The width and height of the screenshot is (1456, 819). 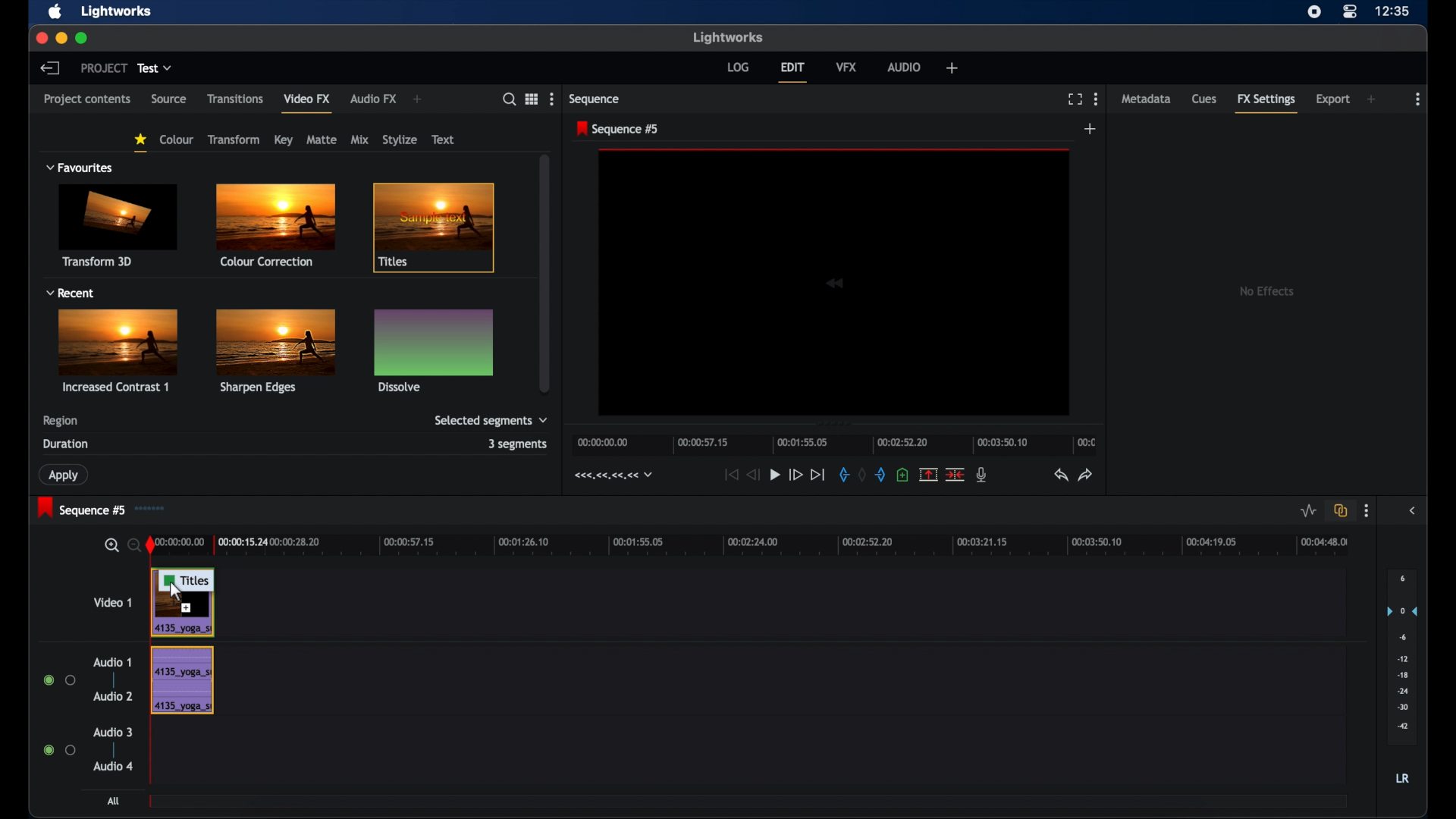 What do you see at coordinates (81, 508) in the screenshot?
I see `sequence 5` at bounding box center [81, 508].